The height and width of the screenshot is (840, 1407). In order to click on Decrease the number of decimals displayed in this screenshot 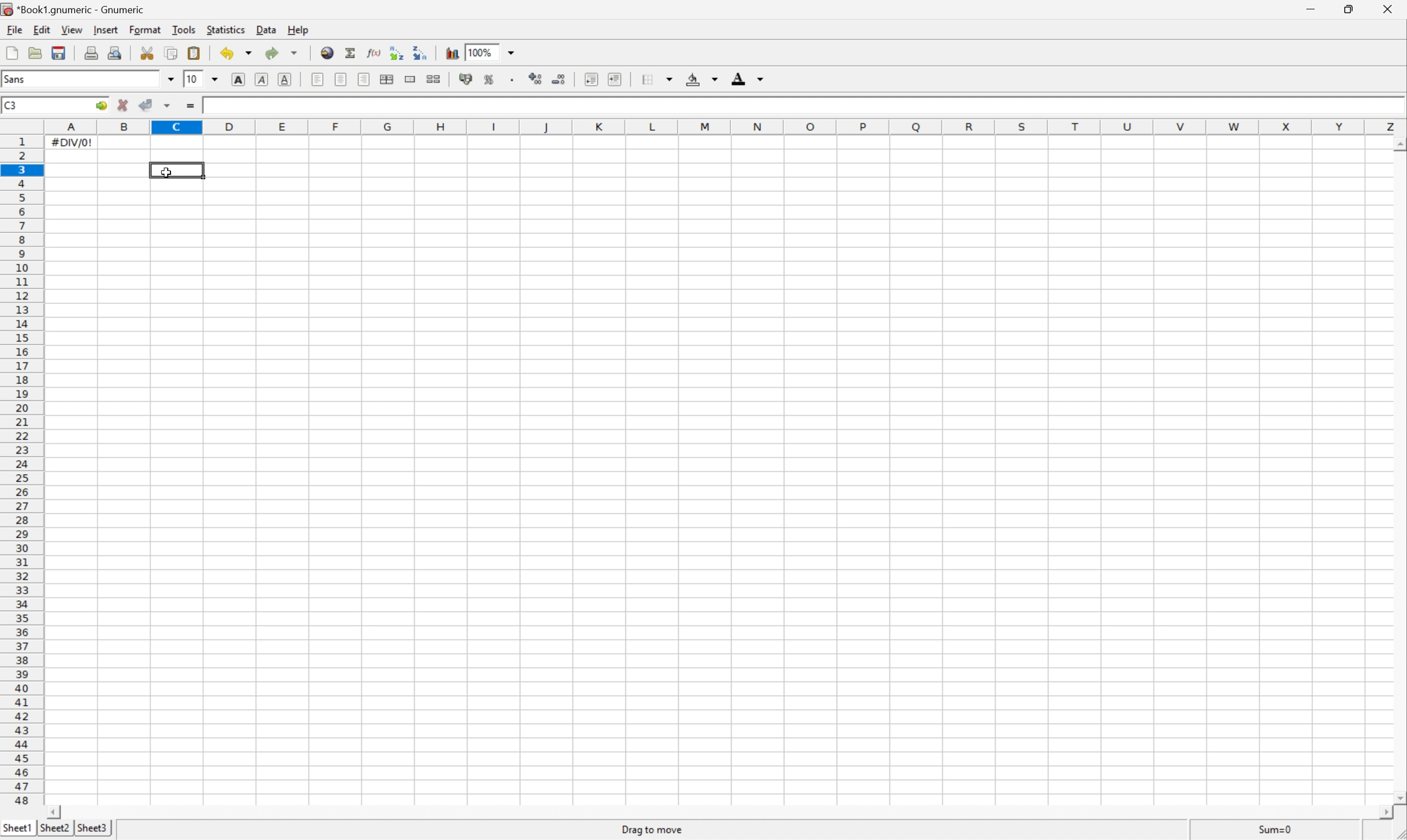, I will do `click(561, 78)`.